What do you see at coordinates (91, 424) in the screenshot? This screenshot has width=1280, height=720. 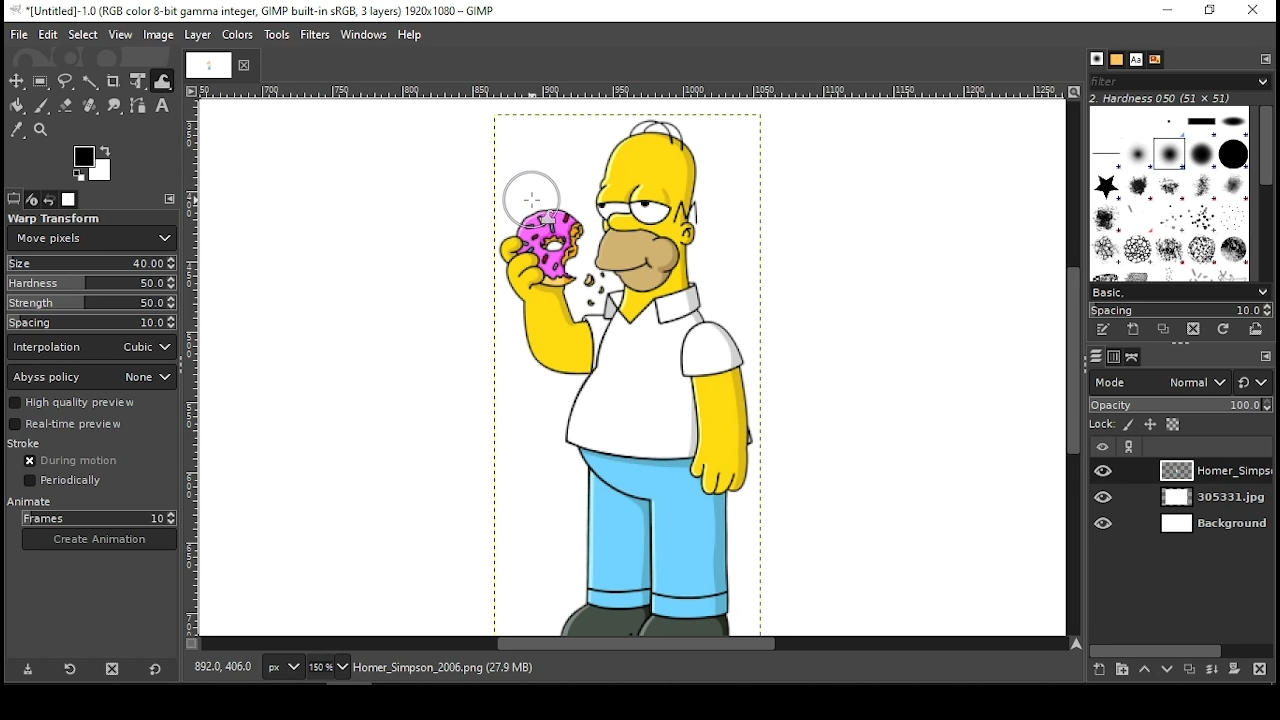 I see `real time preview` at bounding box center [91, 424].